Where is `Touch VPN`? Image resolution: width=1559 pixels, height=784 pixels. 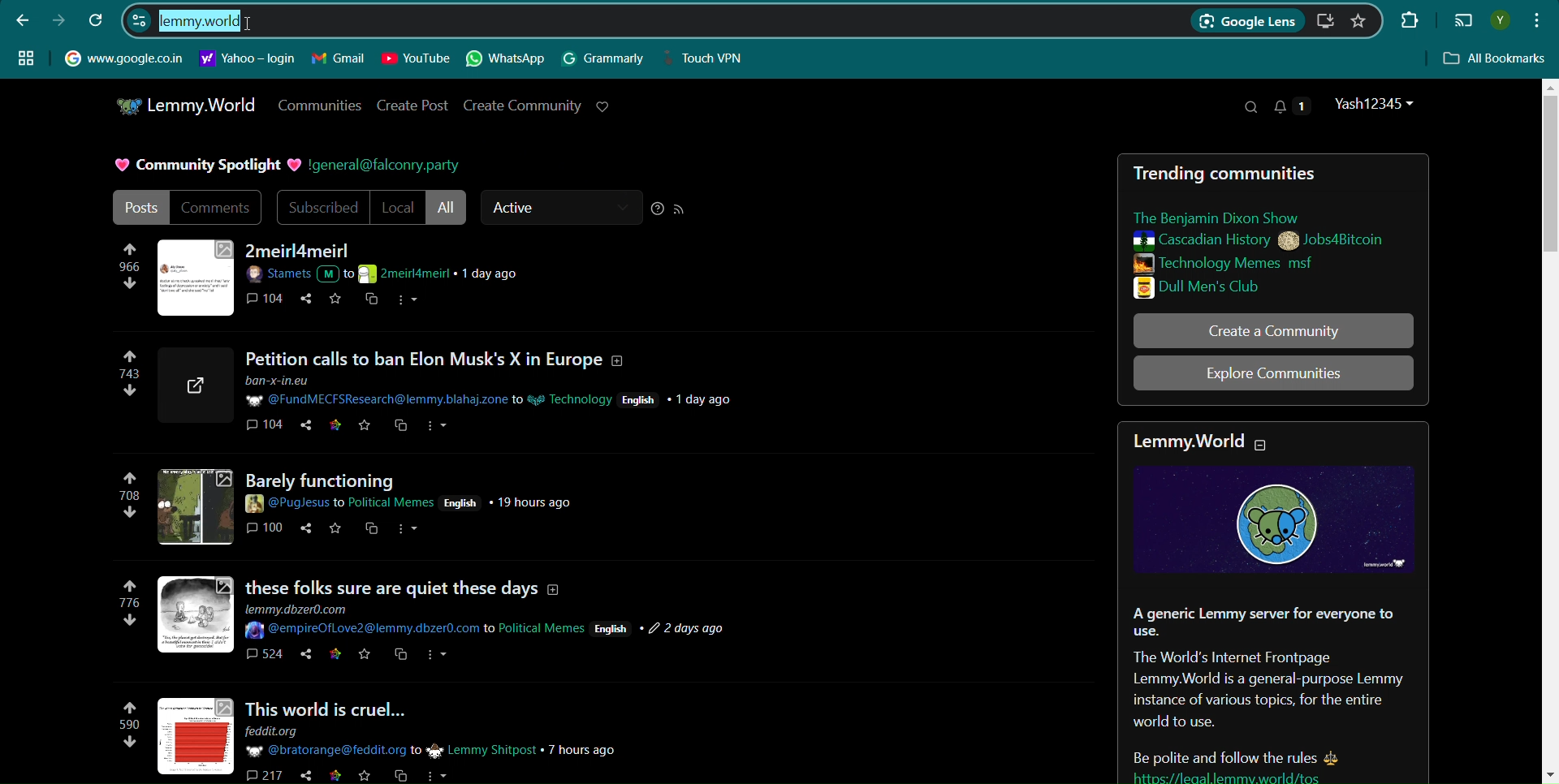 Touch VPN is located at coordinates (709, 58).